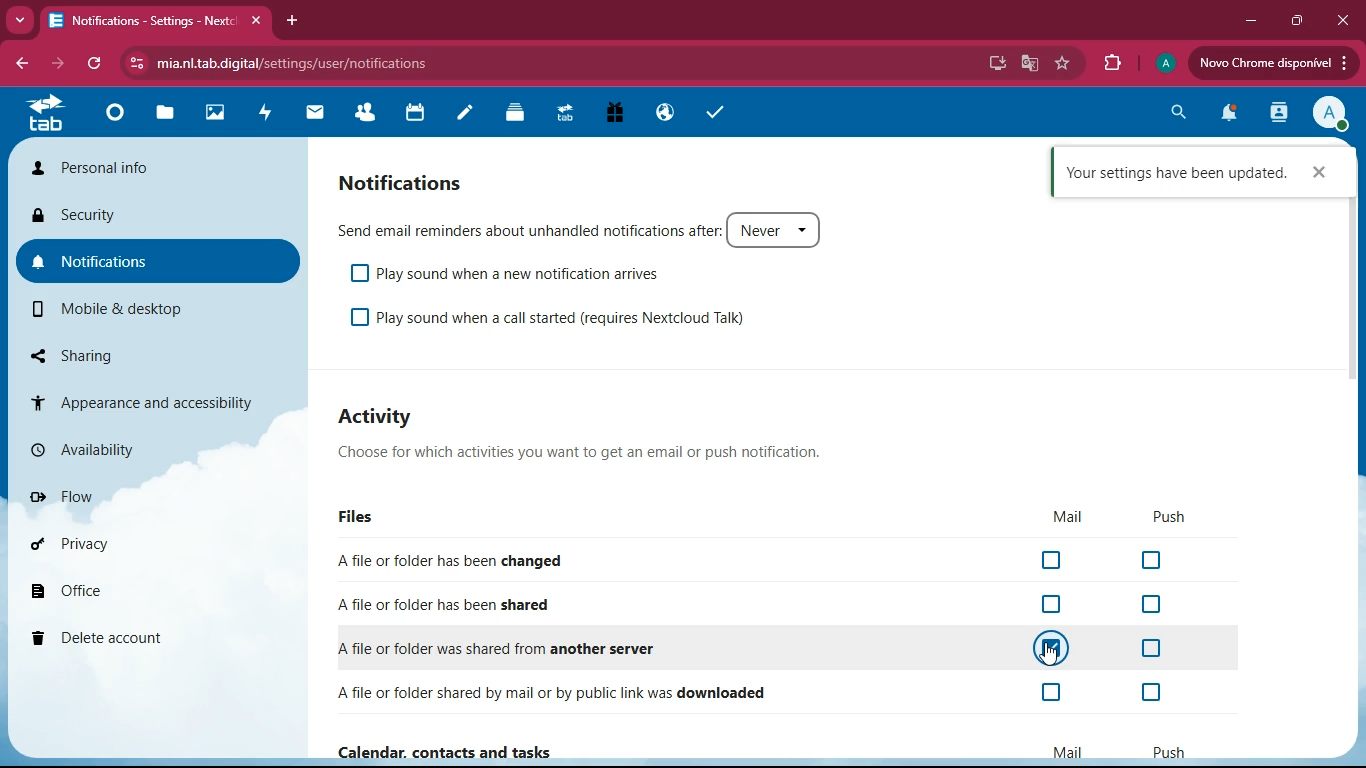 This screenshot has width=1366, height=768. What do you see at coordinates (51, 65) in the screenshot?
I see `forward` at bounding box center [51, 65].